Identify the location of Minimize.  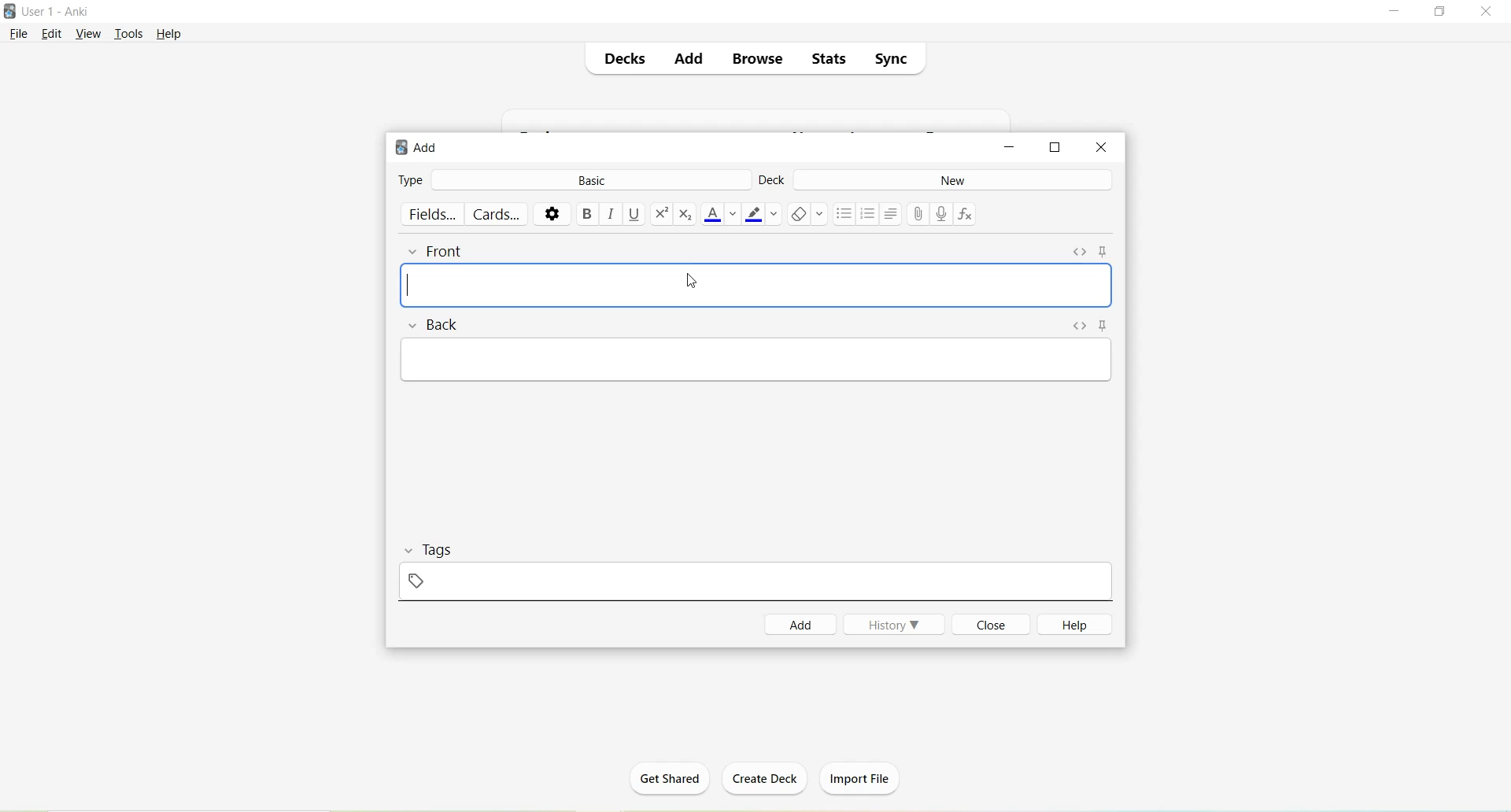
(1007, 149).